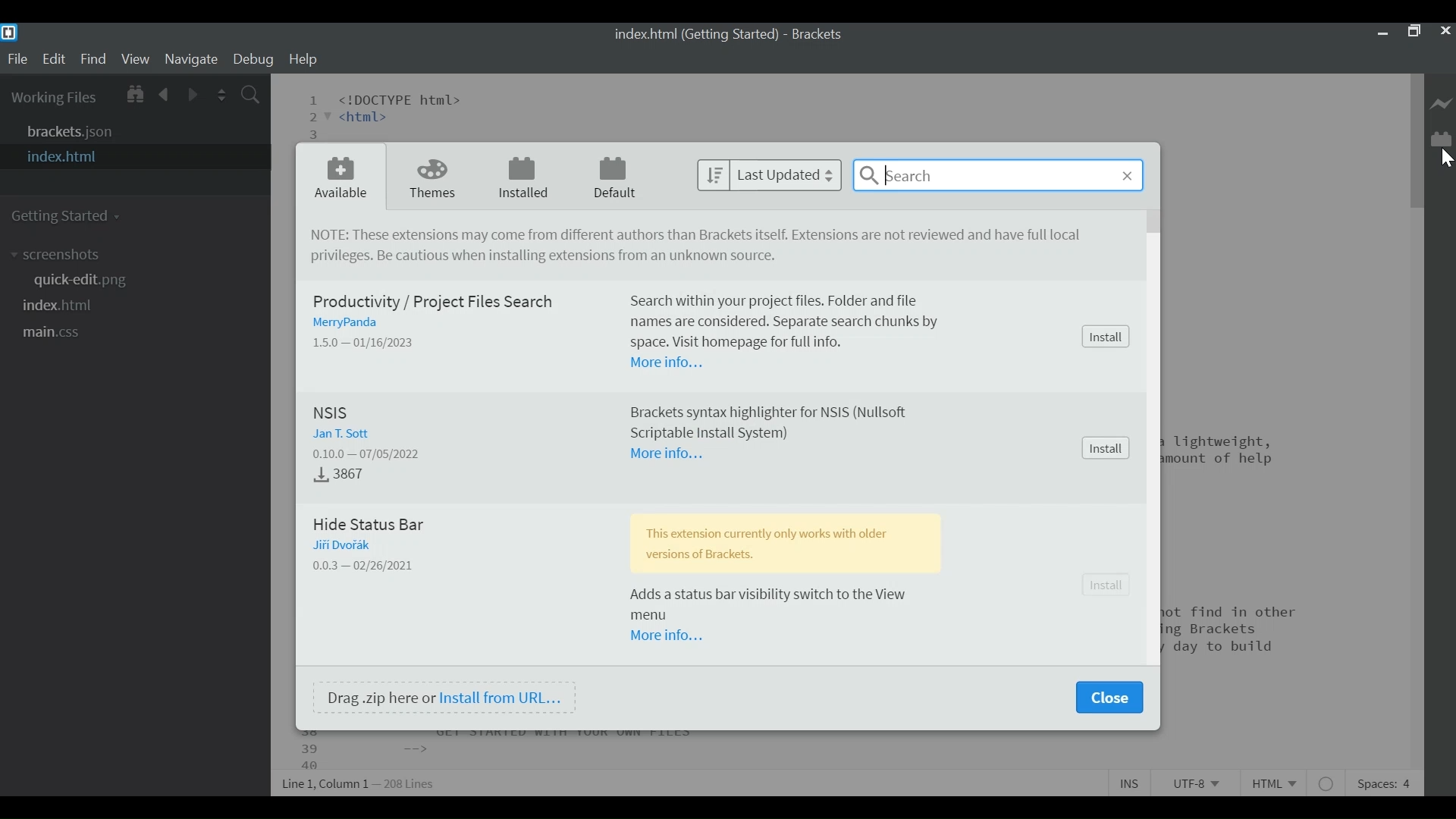 This screenshot has width=1456, height=819. Describe the element at coordinates (343, 476) in the screenshot. I see `Downloads` at that location.